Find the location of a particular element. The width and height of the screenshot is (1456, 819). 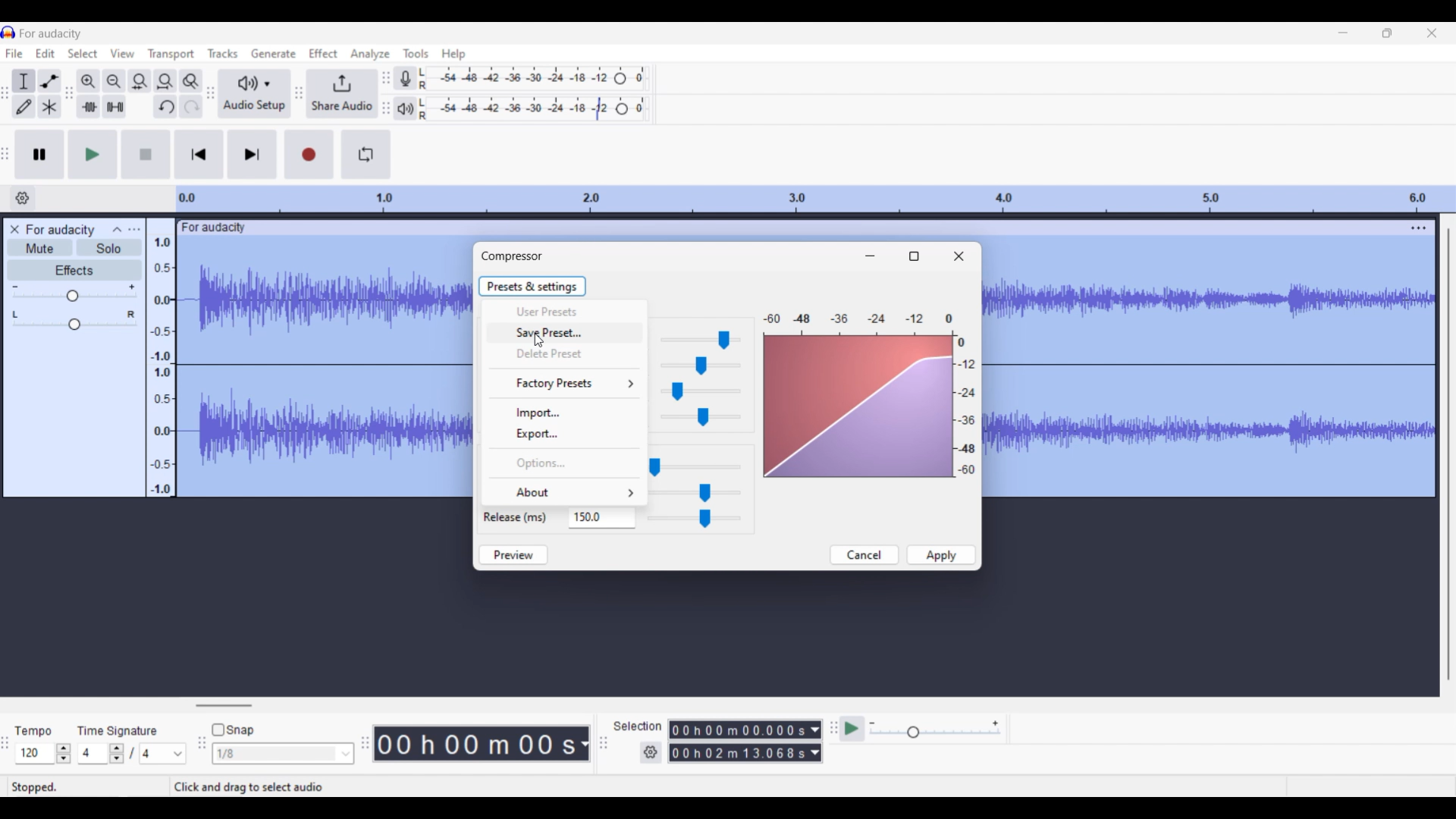

Share audio is located at coordinates (341, 94).